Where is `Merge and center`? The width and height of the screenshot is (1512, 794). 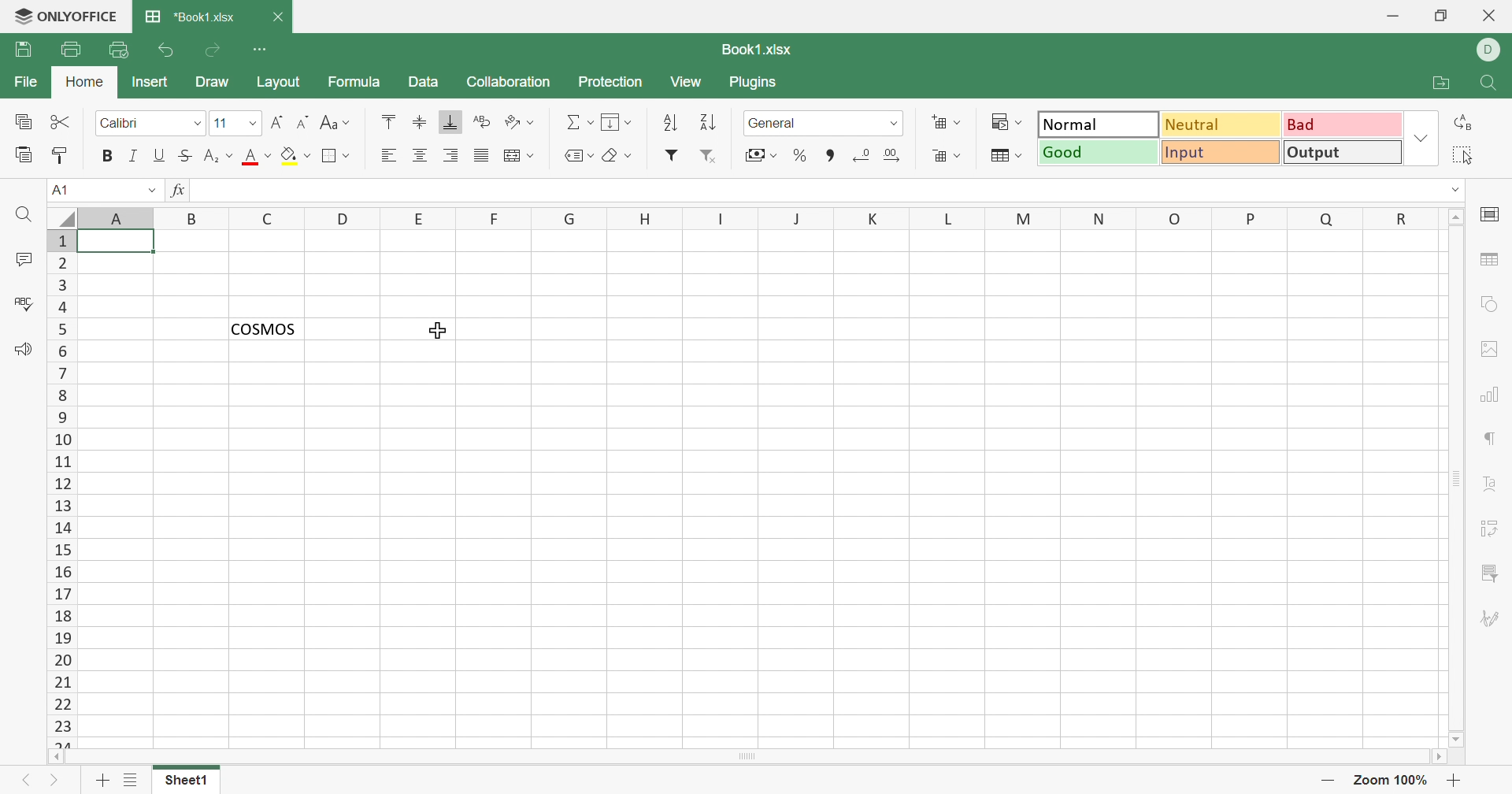
Merge and center is located at coordinates (518, 154).